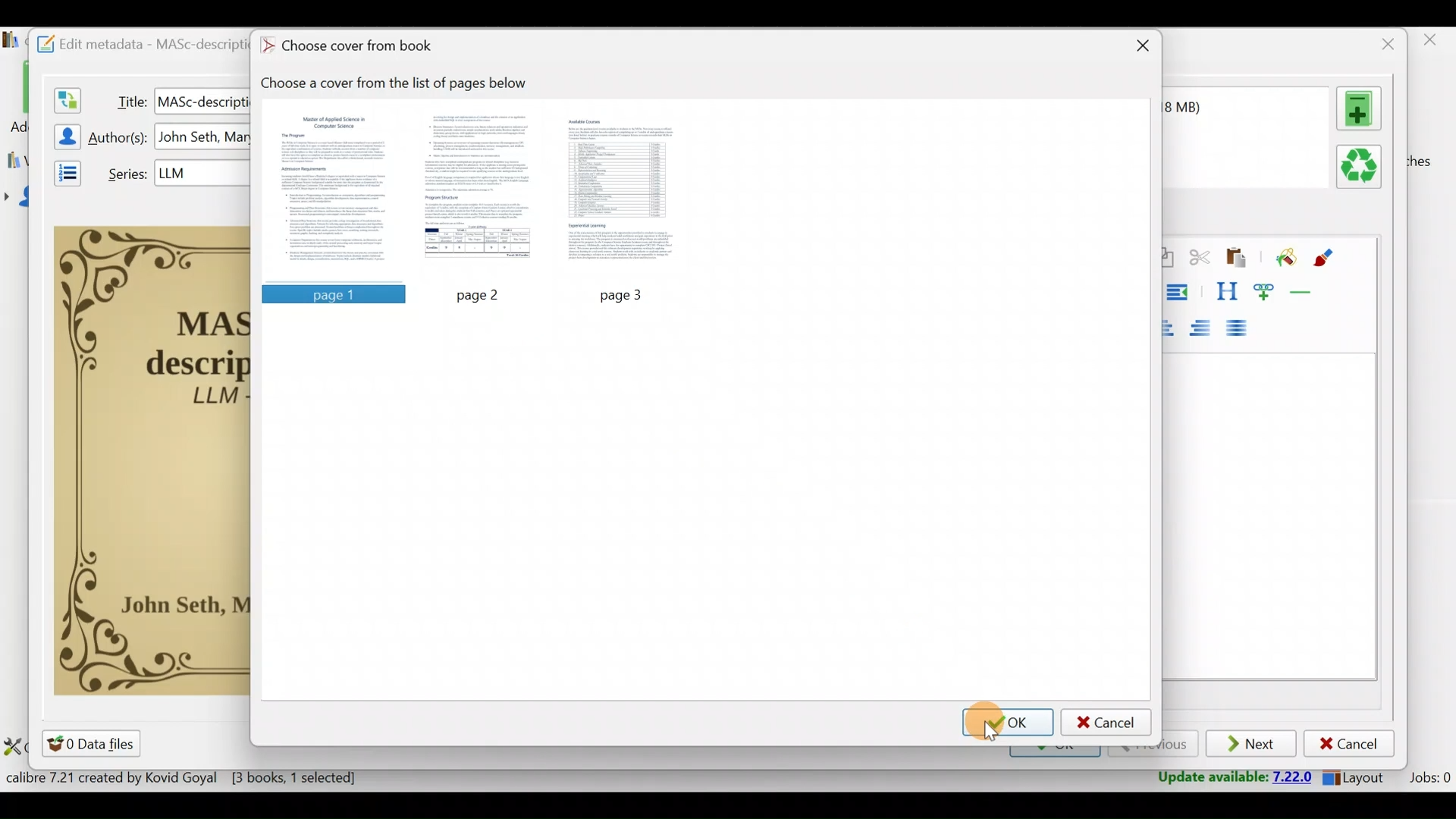 The height and width of the screenshot is (819, 1456). I want to click on , so click(202, 172).